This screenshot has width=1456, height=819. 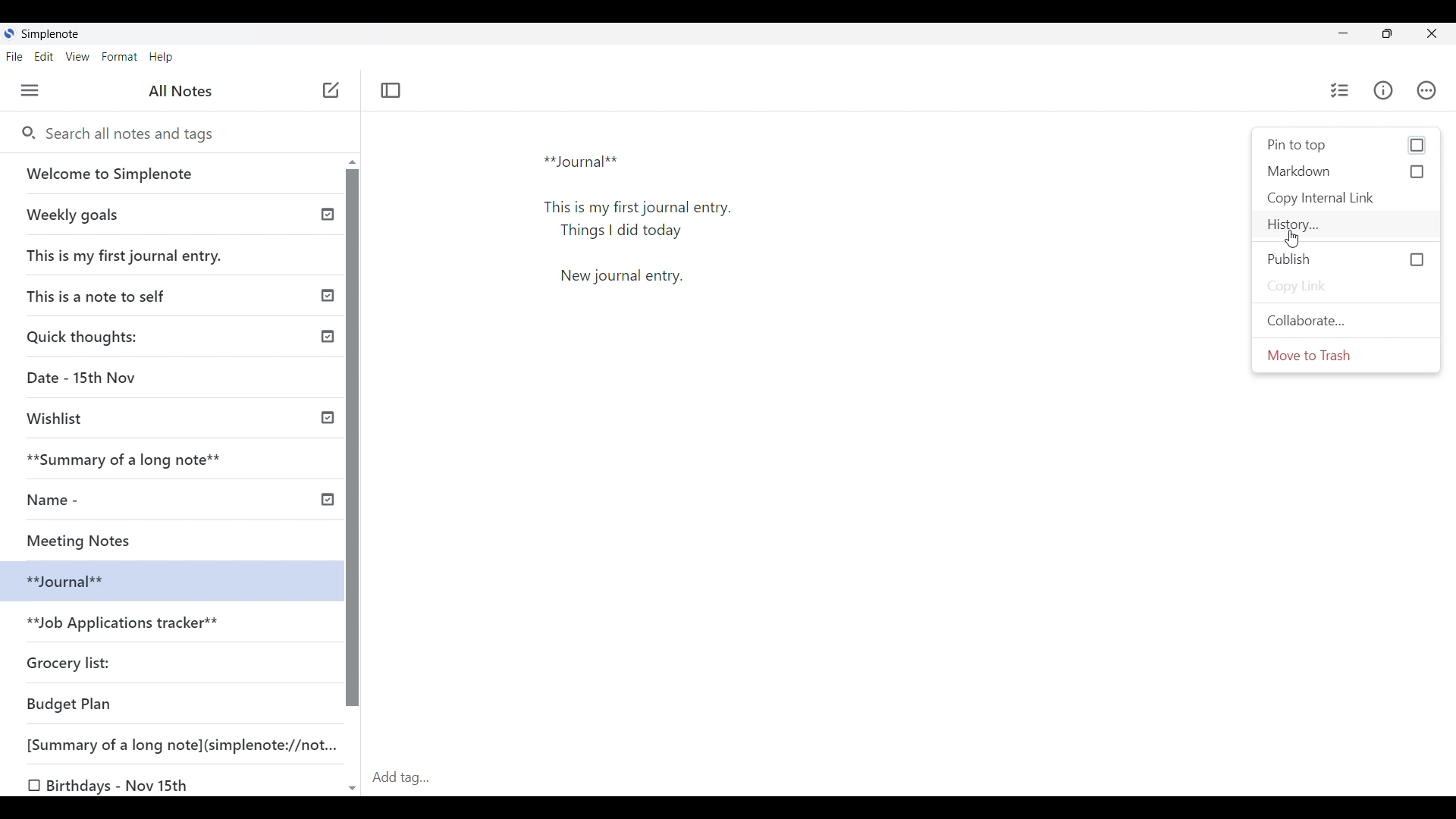 What do you see at coordinates (78, 57) in the screenshot?
I see `View menu` at bounding box center [78, 57].